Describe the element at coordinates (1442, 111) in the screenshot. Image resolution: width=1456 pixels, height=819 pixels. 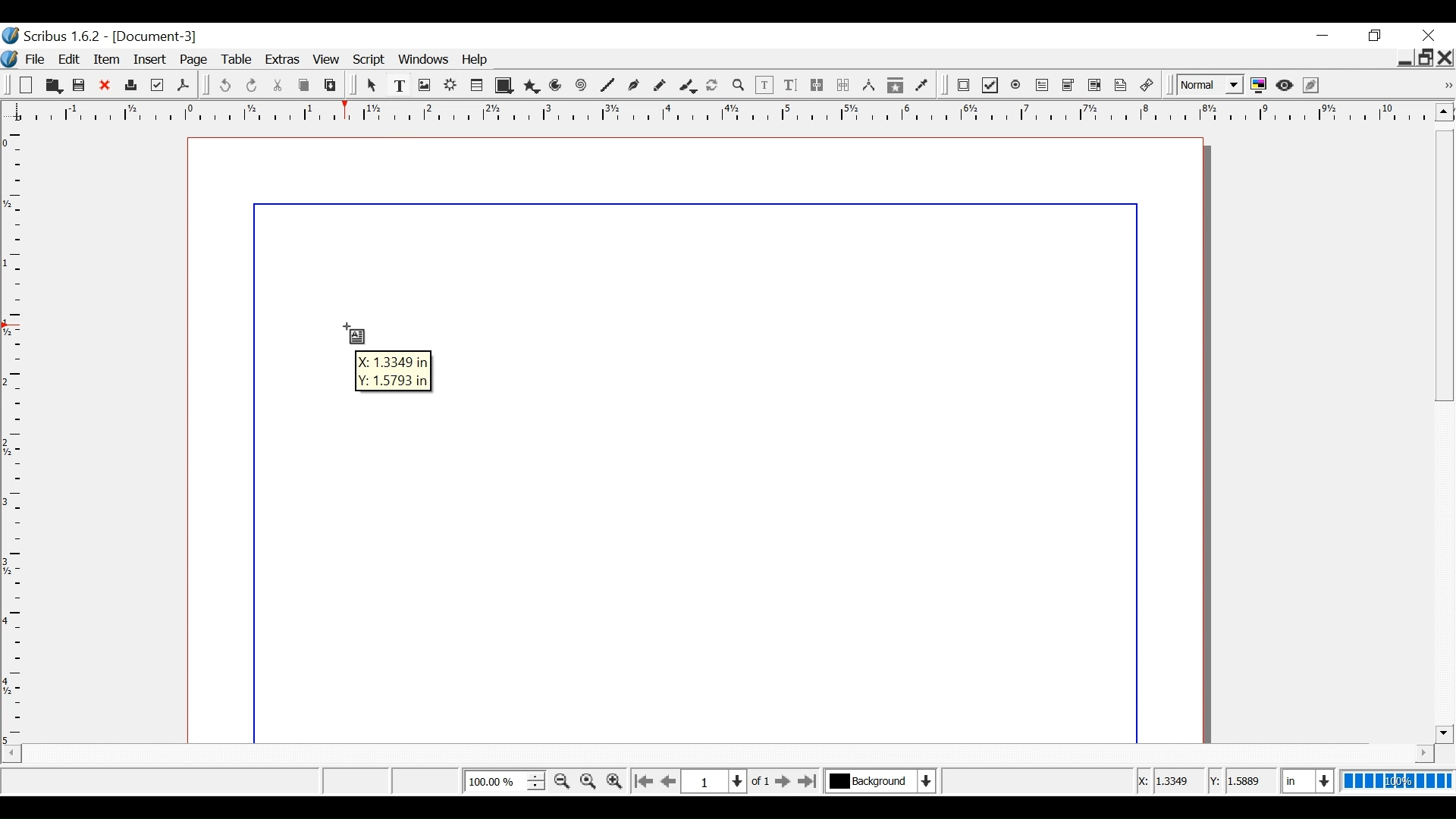
I see `Scroll up` at that location.